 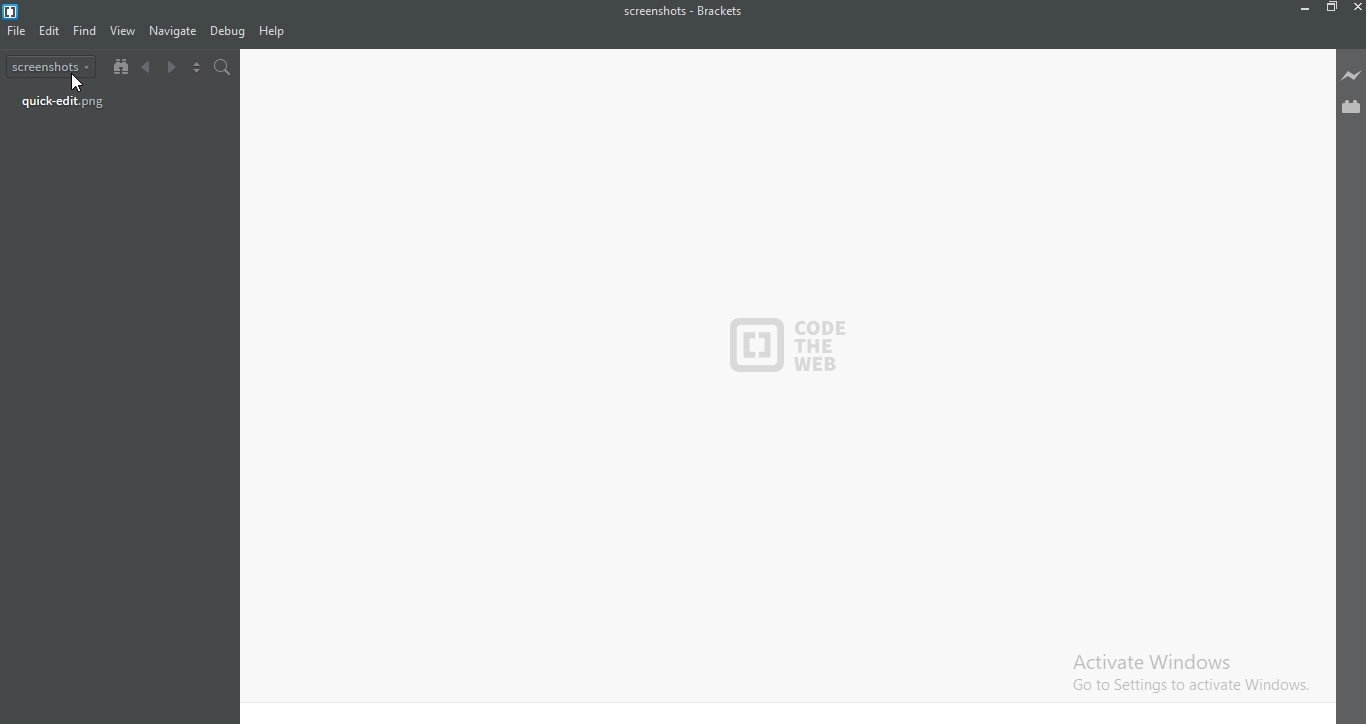 What do you see at coordinates (223, 67) in the screenshot?
I see `search` at bounding box center [223, 67].